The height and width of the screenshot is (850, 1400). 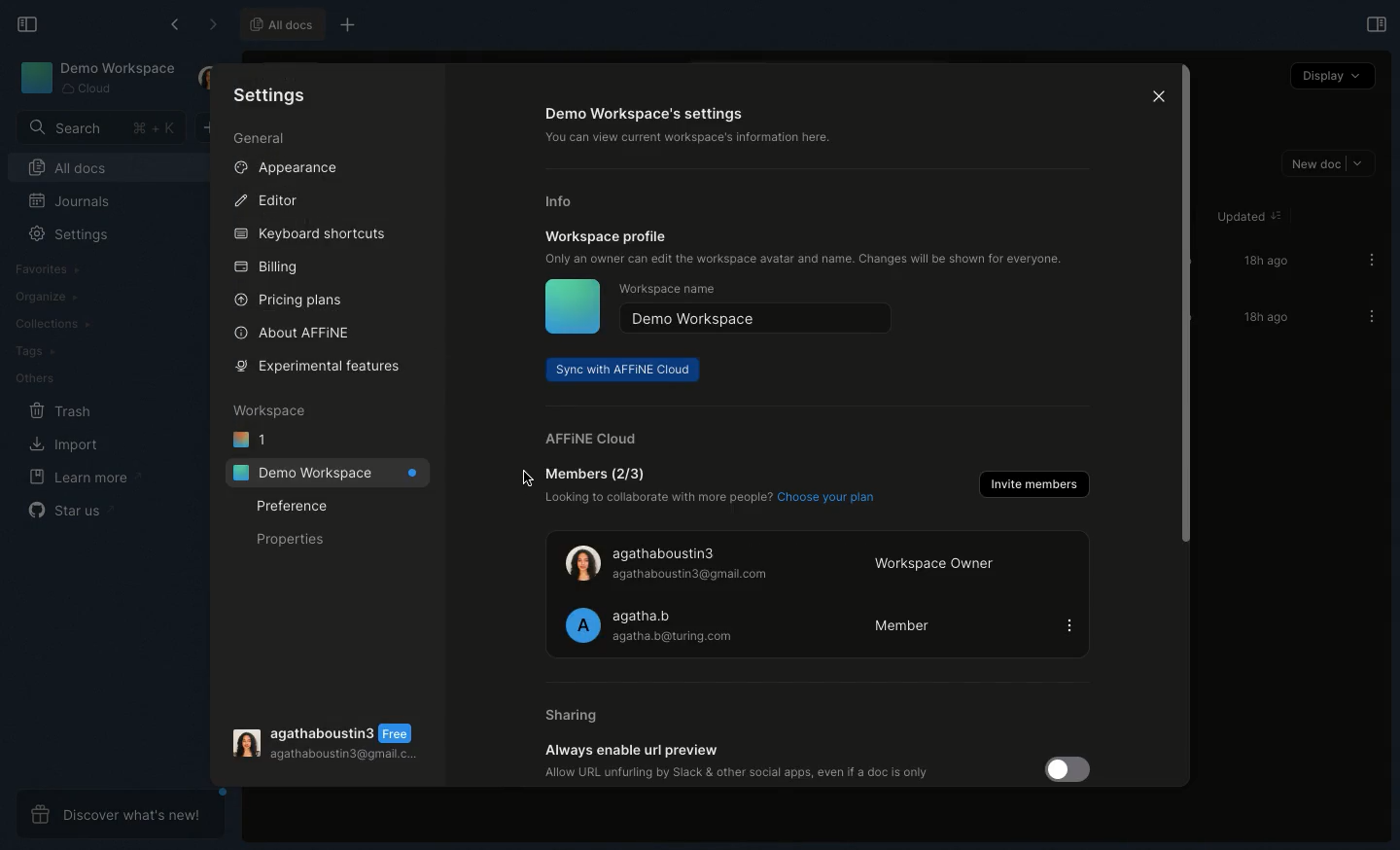 I want to click on Editor, so click(x=267, y=199).